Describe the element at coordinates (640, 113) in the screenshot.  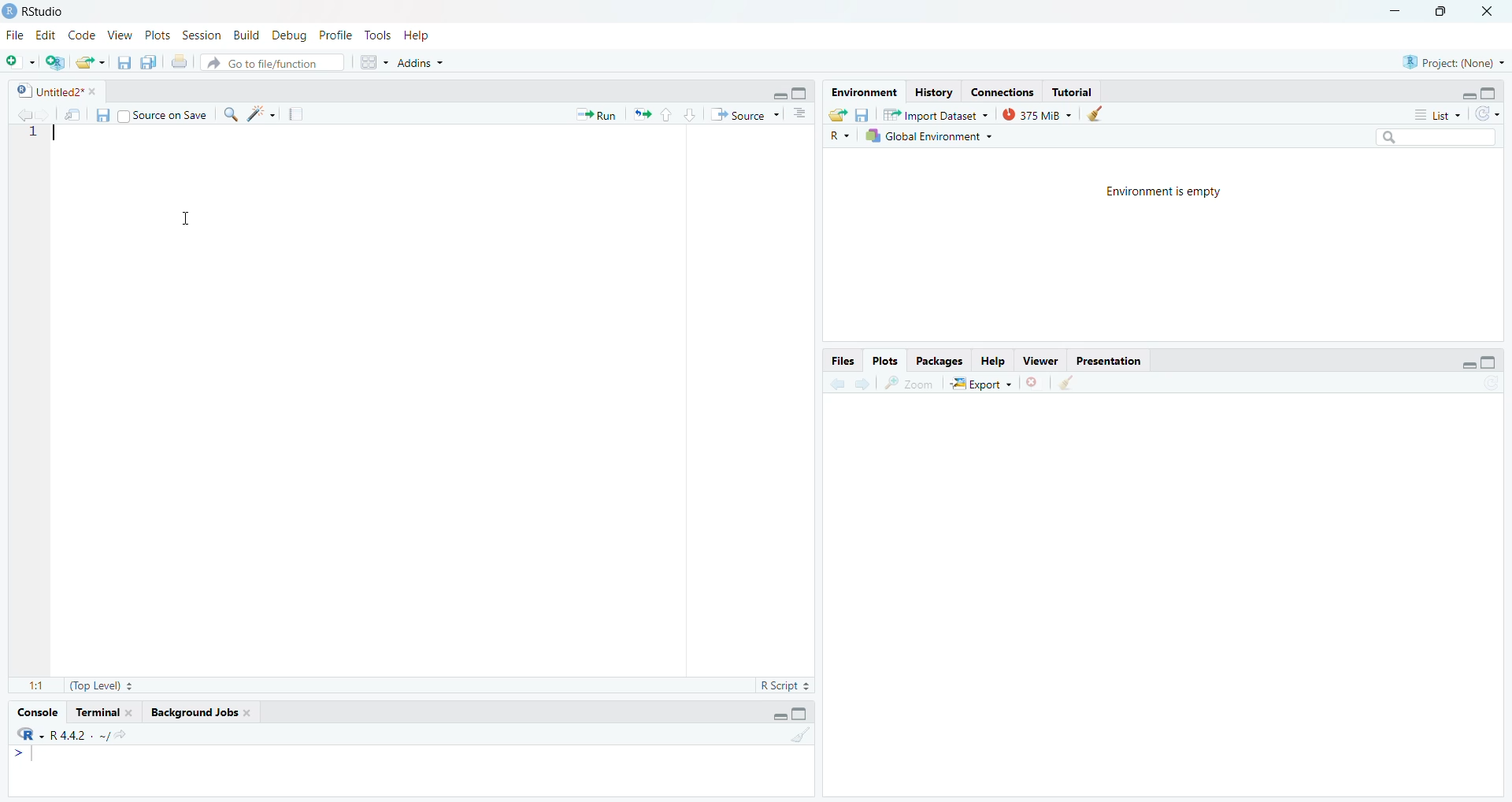
I see `re run the previous code` at that location.